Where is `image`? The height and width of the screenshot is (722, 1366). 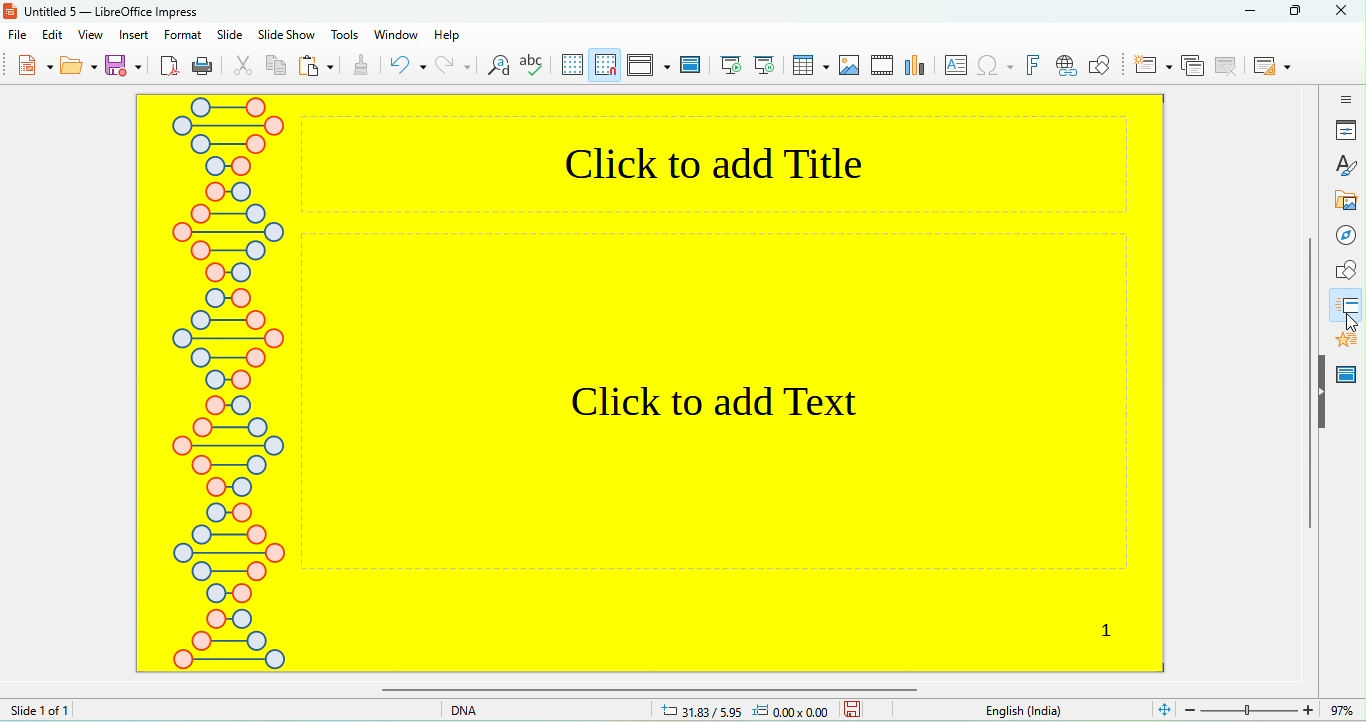 image is located at coordinates (850, 68).